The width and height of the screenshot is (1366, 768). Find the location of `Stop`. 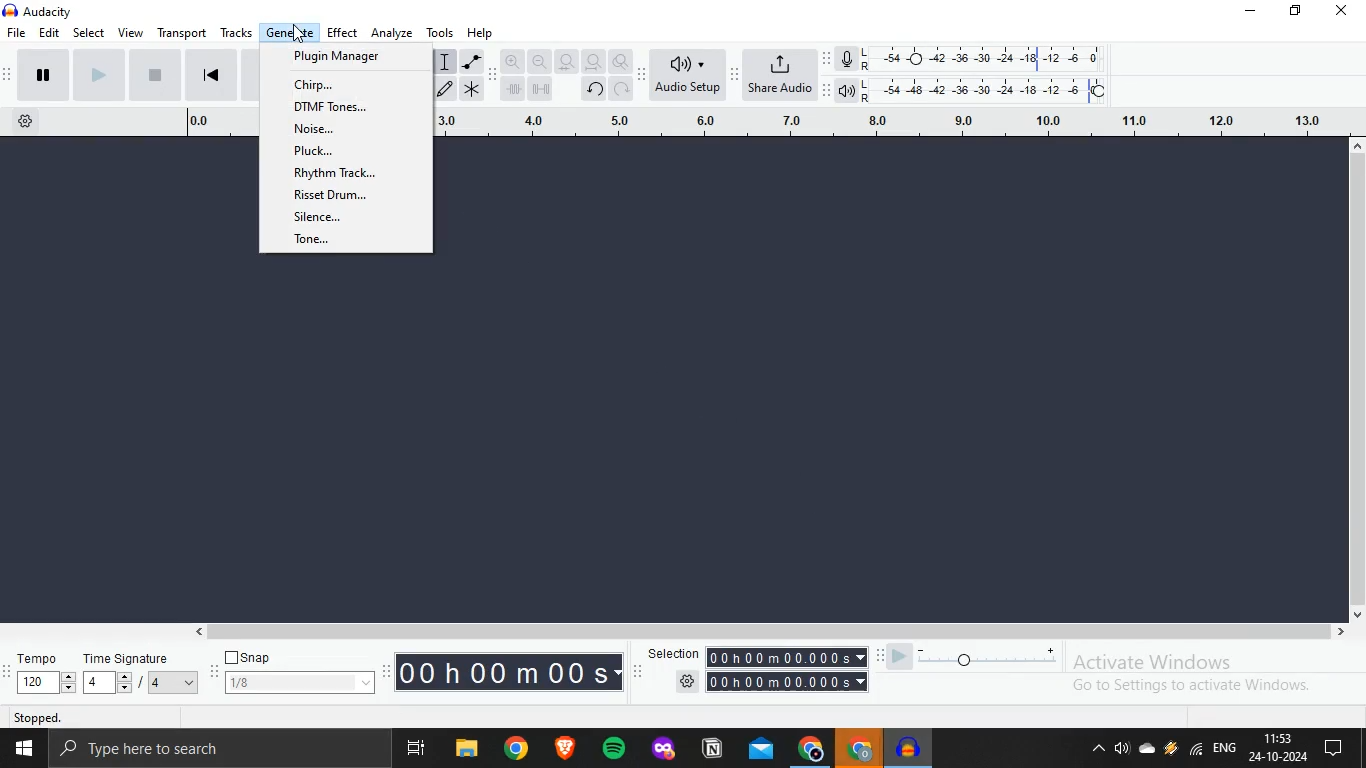

Stop is located at coordinates (154, 77).